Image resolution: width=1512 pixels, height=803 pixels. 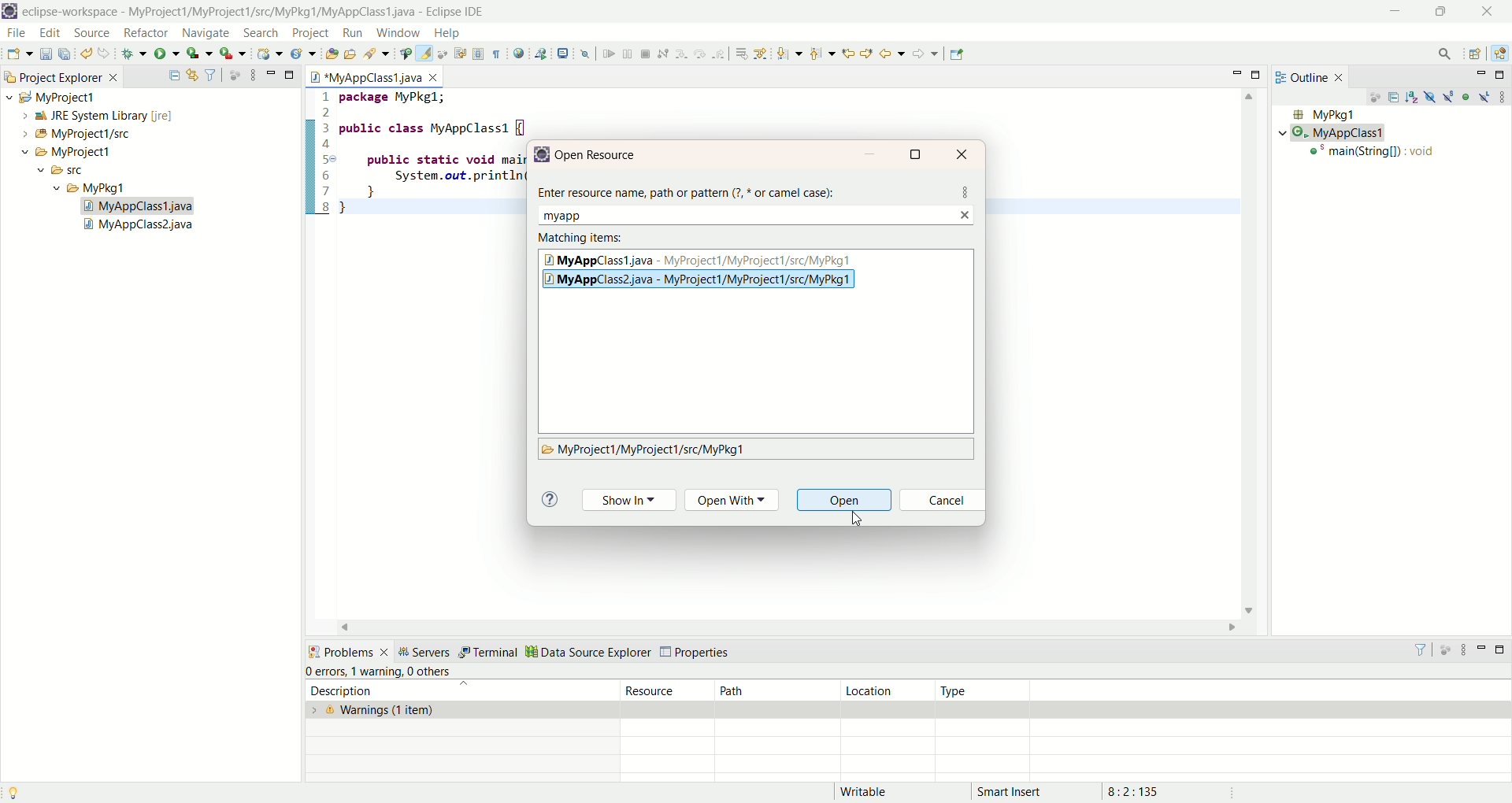 What do you see at coordinates (1492, 10) in the screenshot?
I see `close` at bounding box center [1492, 10].